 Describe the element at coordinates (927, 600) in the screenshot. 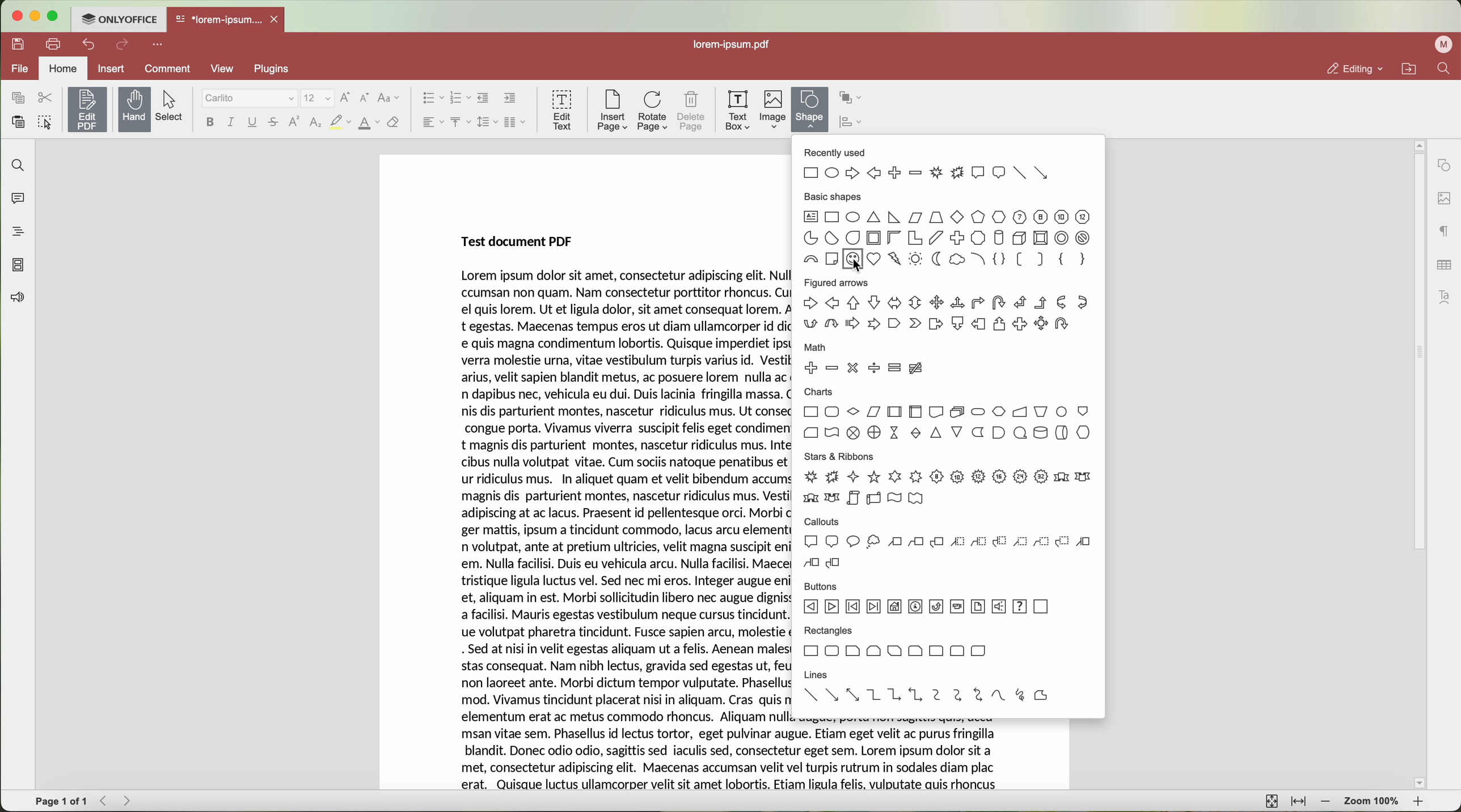

I see `buttons` at that location.